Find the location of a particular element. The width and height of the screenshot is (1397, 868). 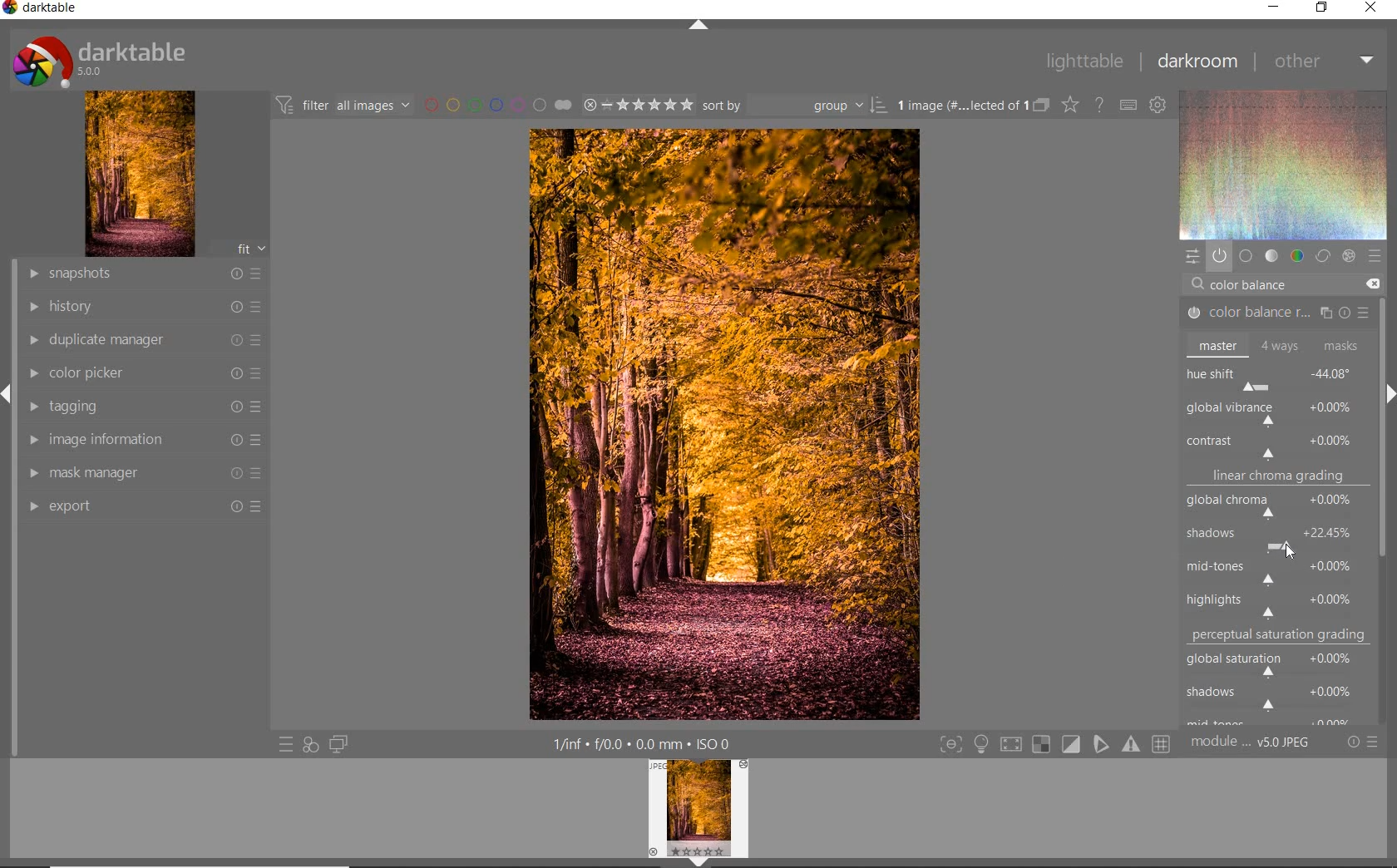

quick access panel is located at coordinates (1190, 256).